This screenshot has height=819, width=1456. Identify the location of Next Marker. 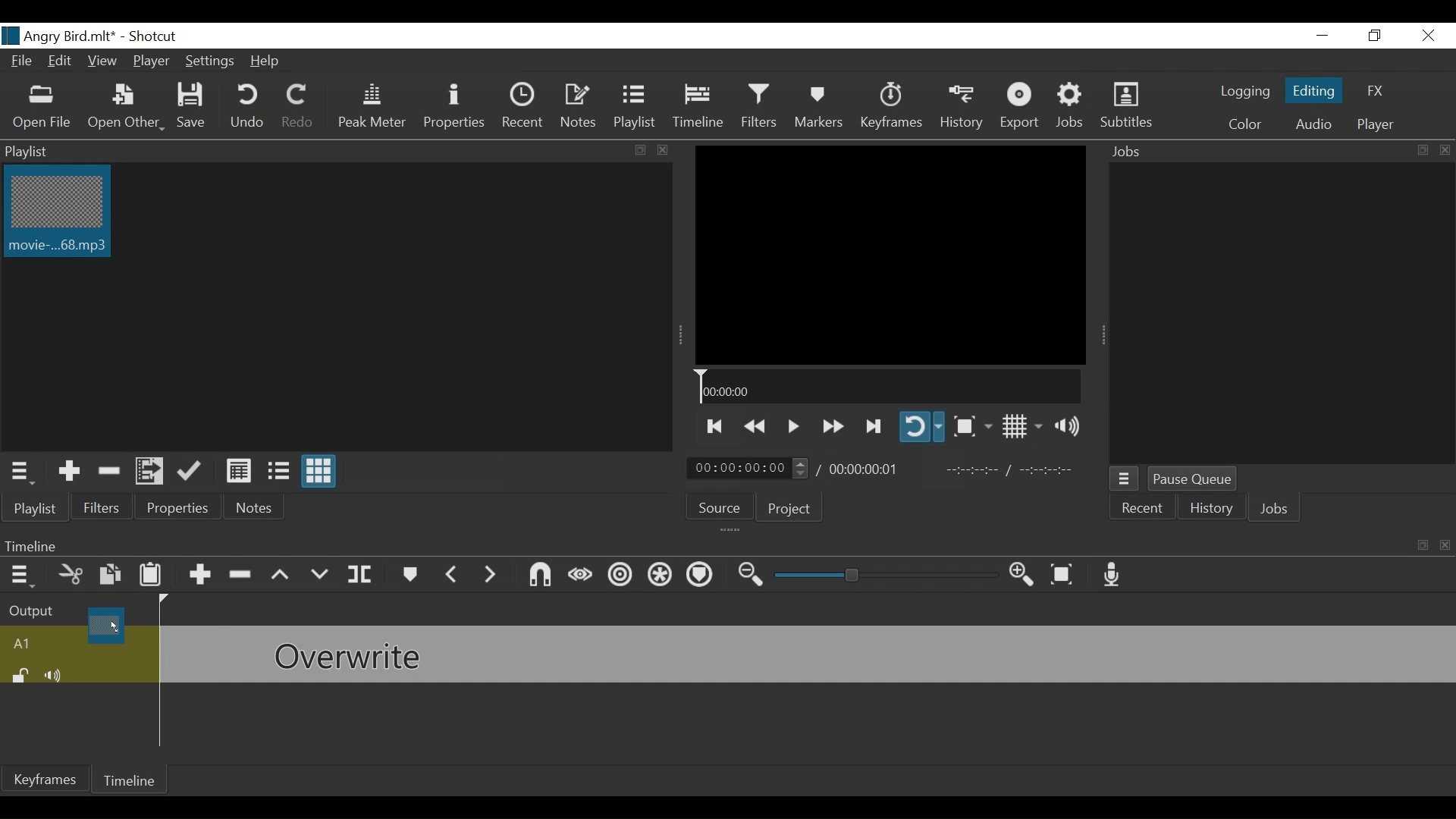
(493, 575).